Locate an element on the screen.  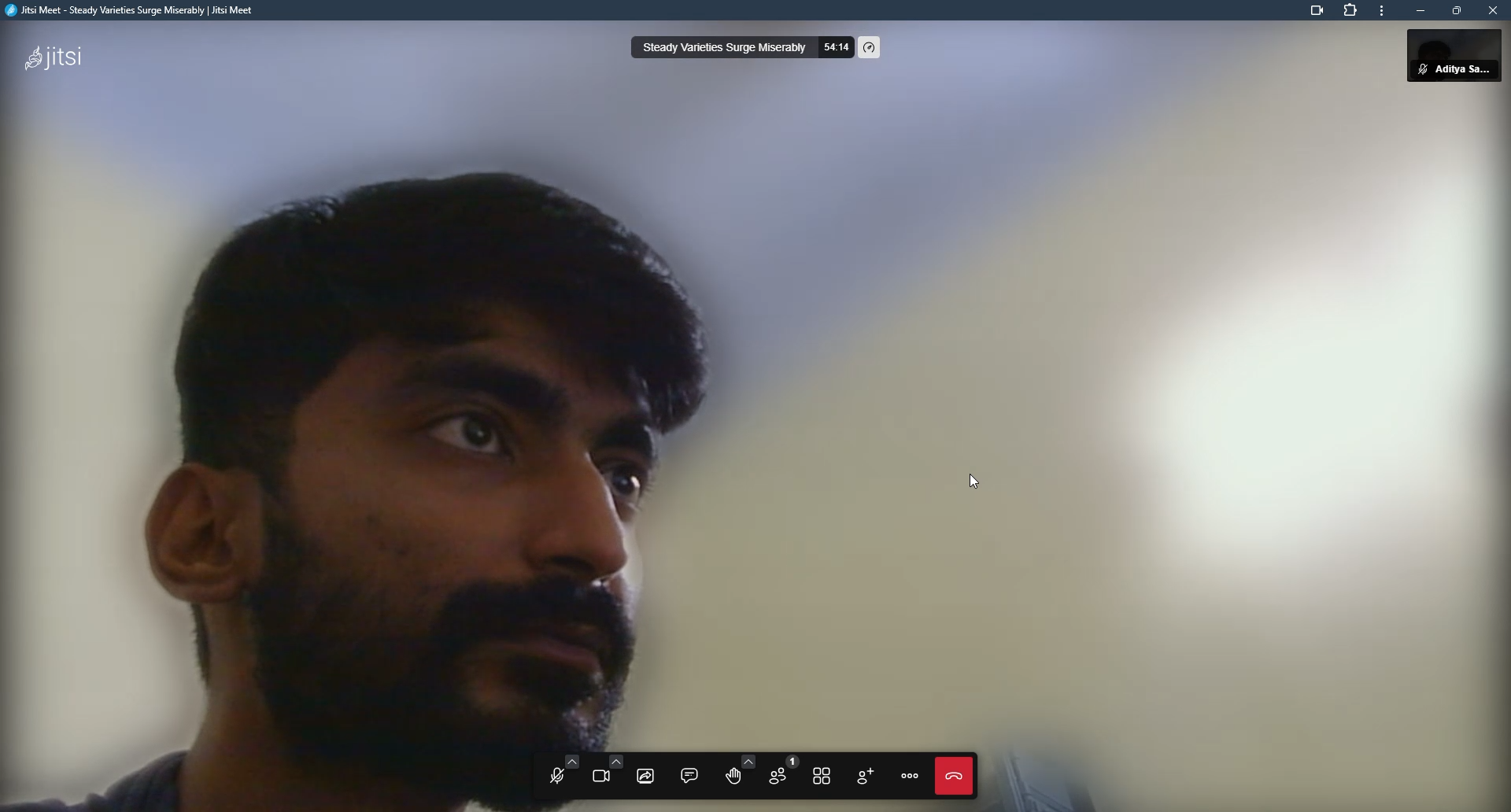
profile is located at coordinates (1469, 55).